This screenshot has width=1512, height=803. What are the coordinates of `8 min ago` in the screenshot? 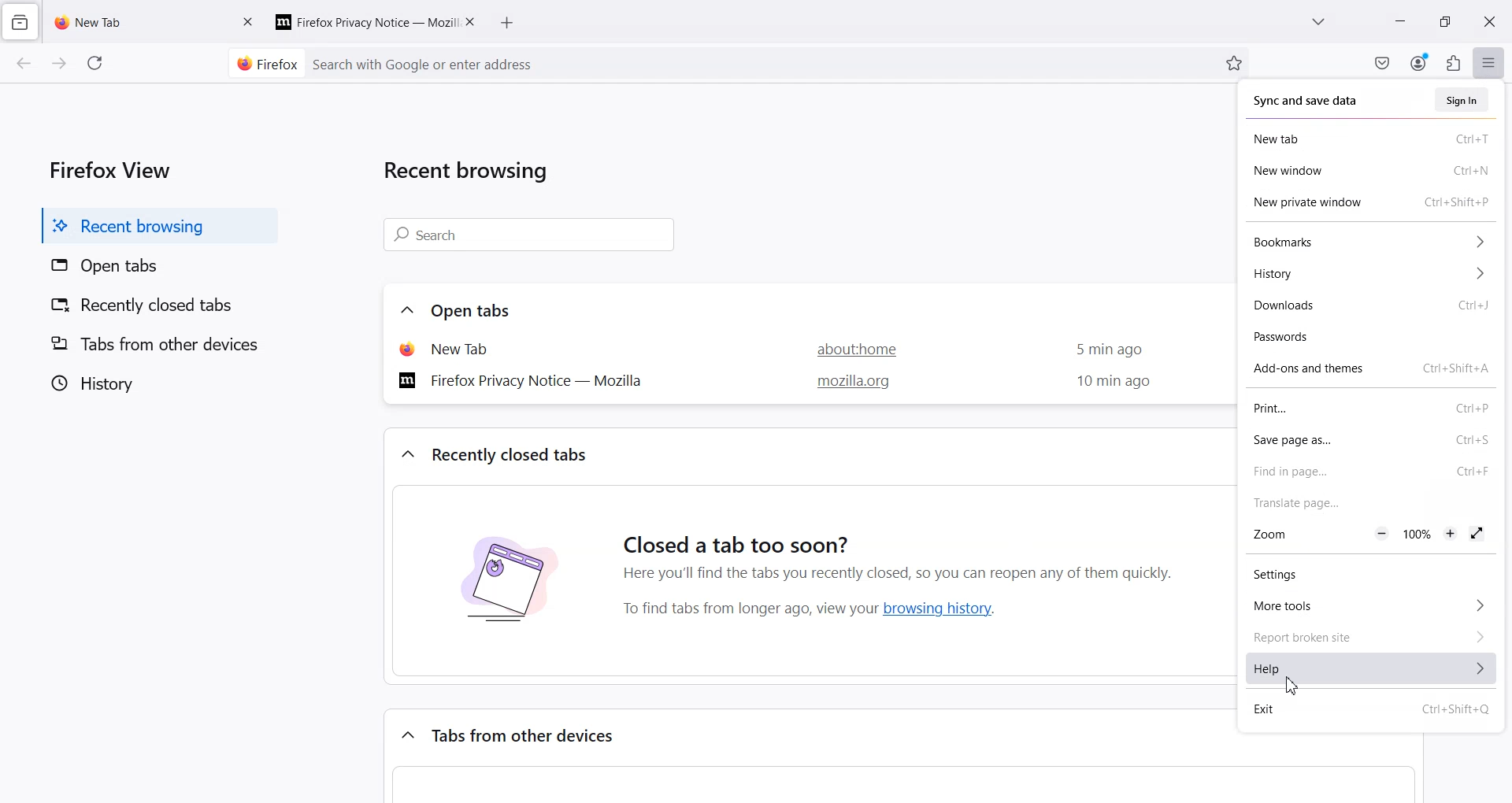 It's located at (1109, 383).